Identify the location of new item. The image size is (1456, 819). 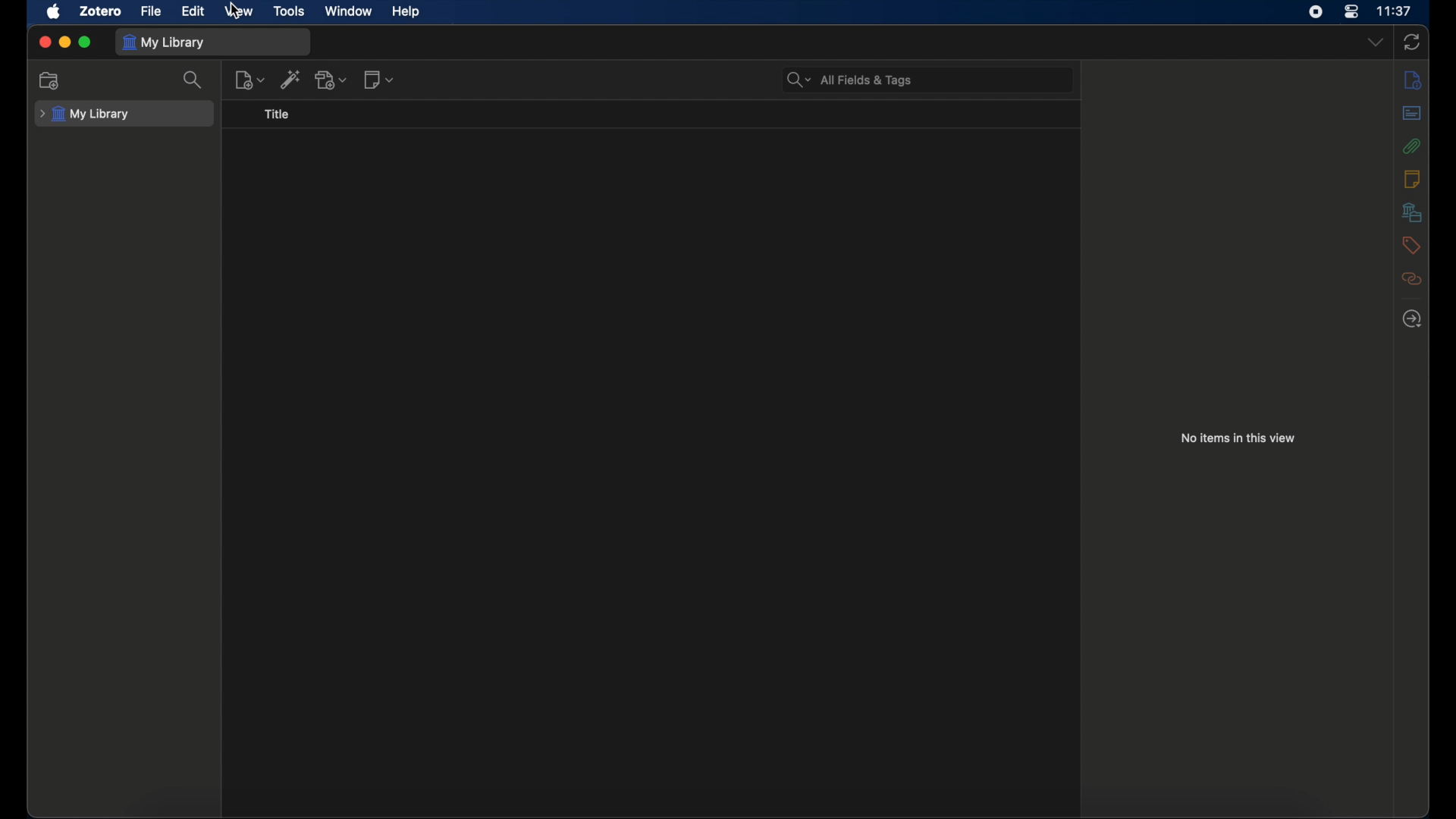
(250, 80).